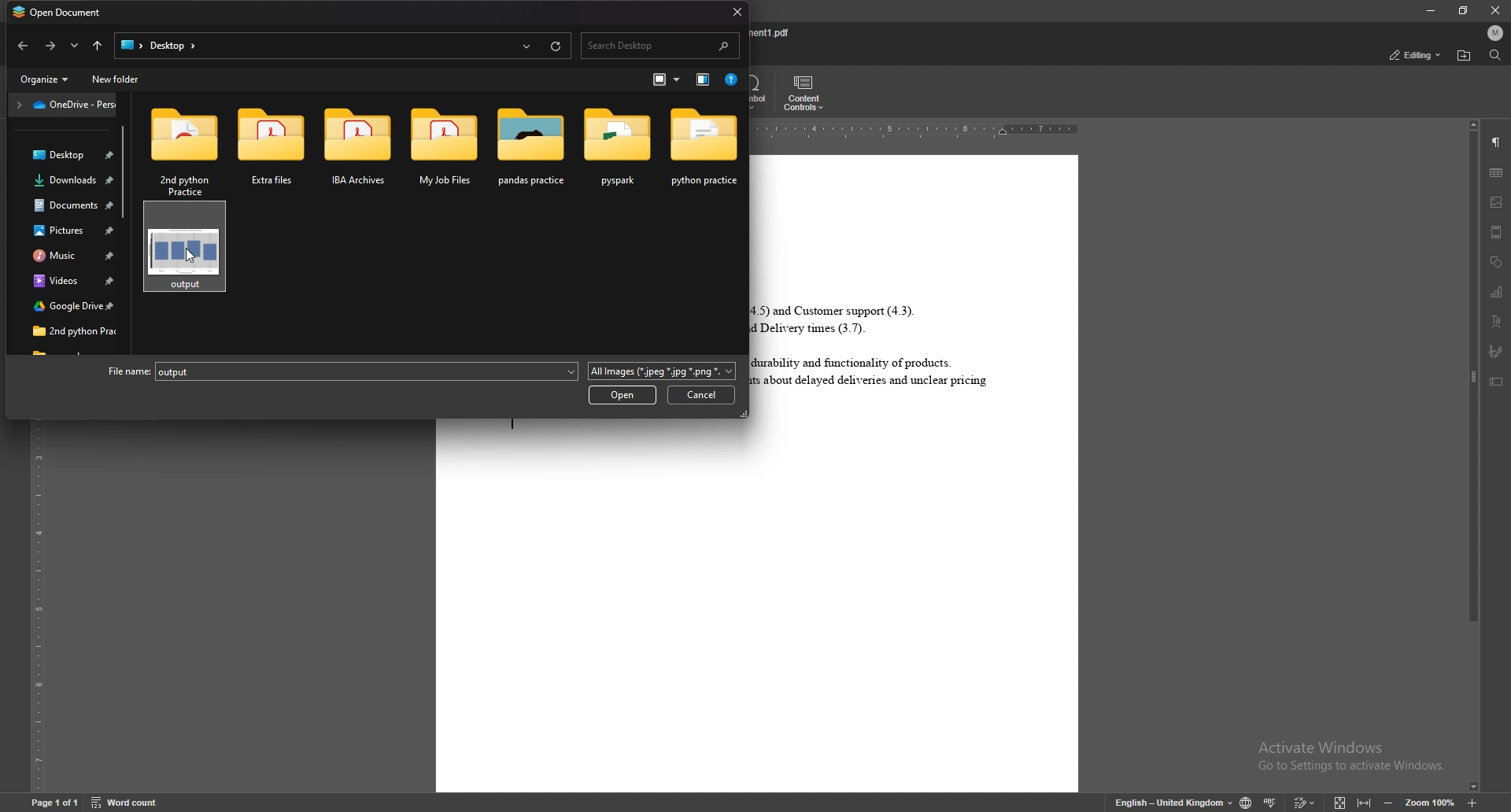 The height and width of the screenshot is (812, 1511). I want to click on chart, so click(1497, 291).